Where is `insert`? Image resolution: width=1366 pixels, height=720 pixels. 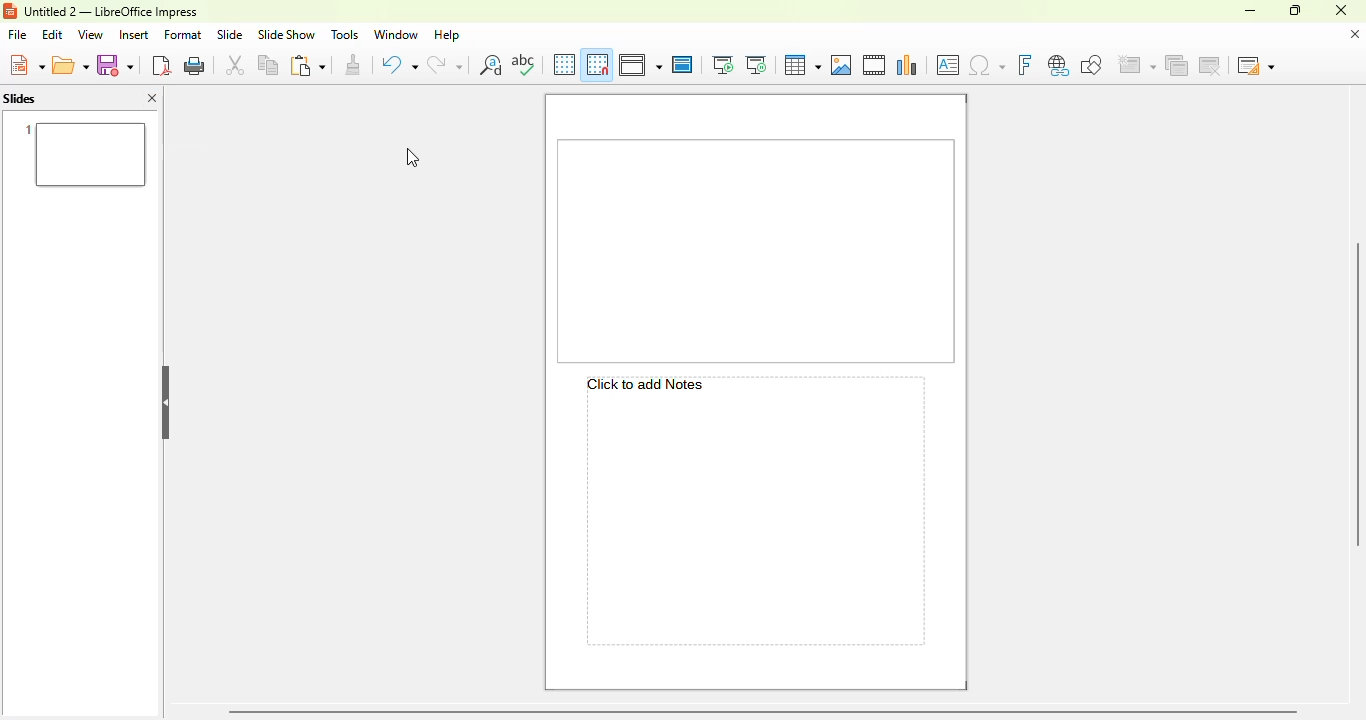 insert is located at coordinates (134, 35).